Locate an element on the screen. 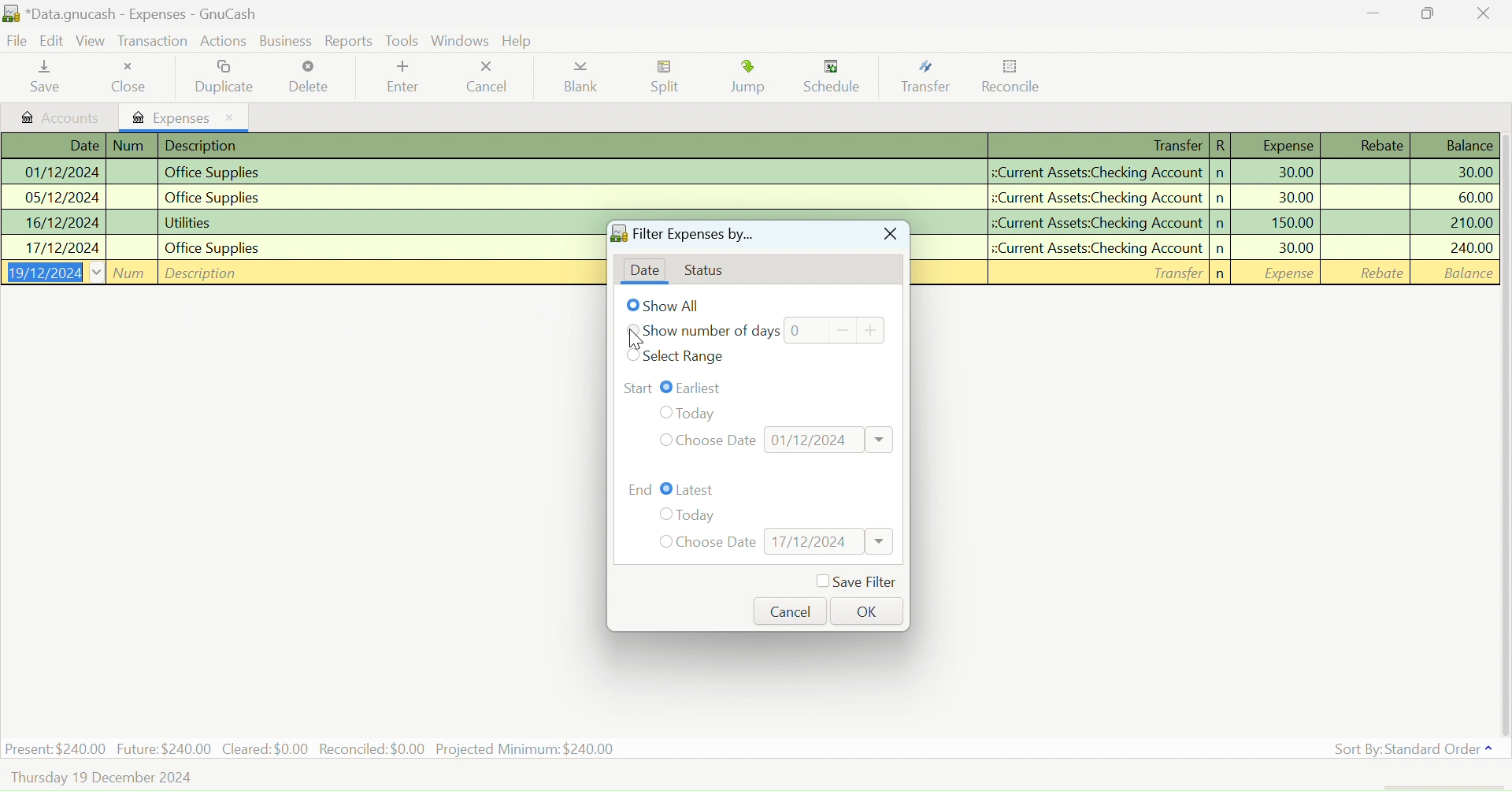 This screenshot has width=1512, height=791. Select Date Range is located at coordinates (687, 357).